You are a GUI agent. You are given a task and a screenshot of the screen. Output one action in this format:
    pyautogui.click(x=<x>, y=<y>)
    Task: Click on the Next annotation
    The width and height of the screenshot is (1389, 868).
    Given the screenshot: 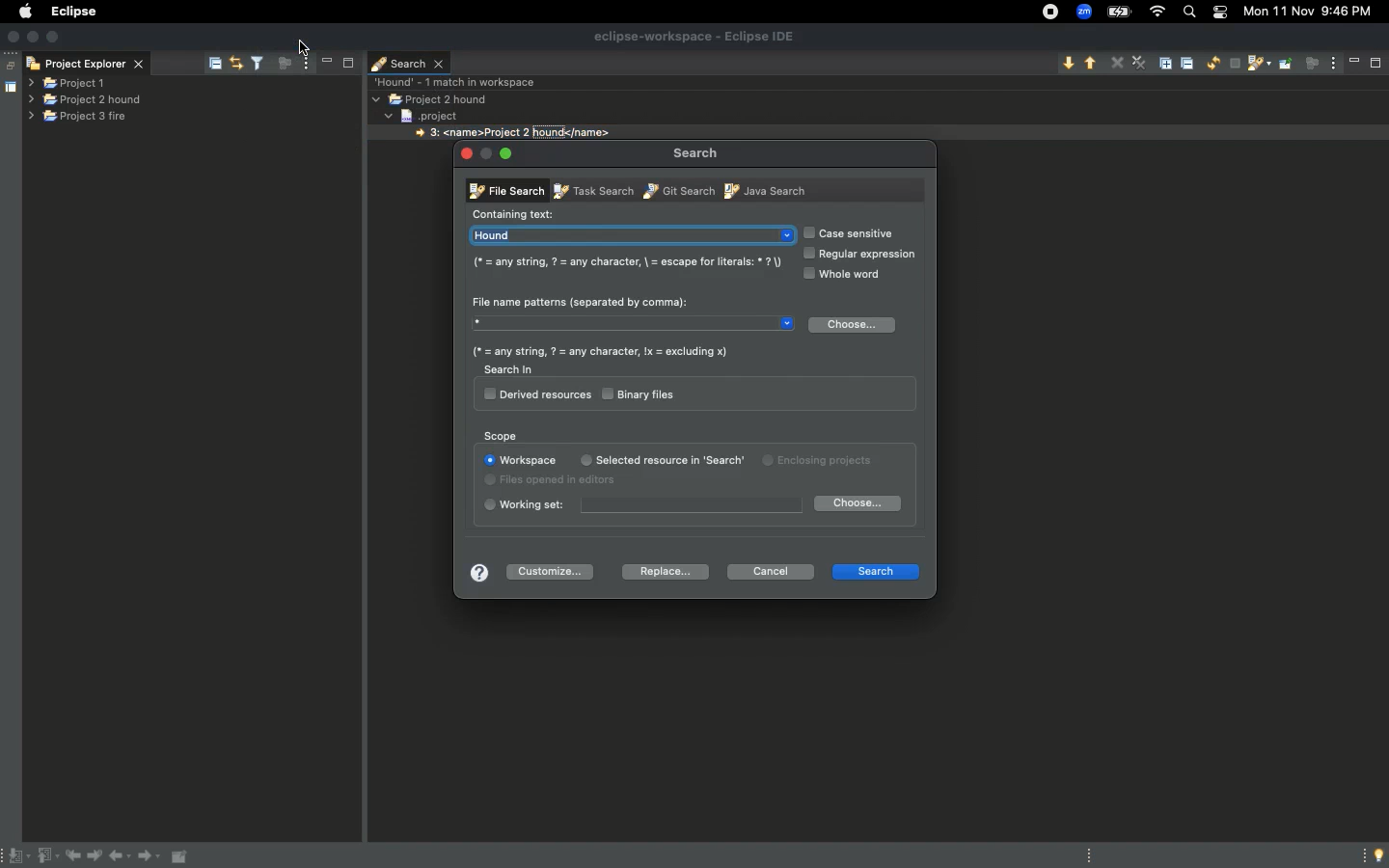 What is the action you would take?
    pyautogui.click(x=16, y=856)
    